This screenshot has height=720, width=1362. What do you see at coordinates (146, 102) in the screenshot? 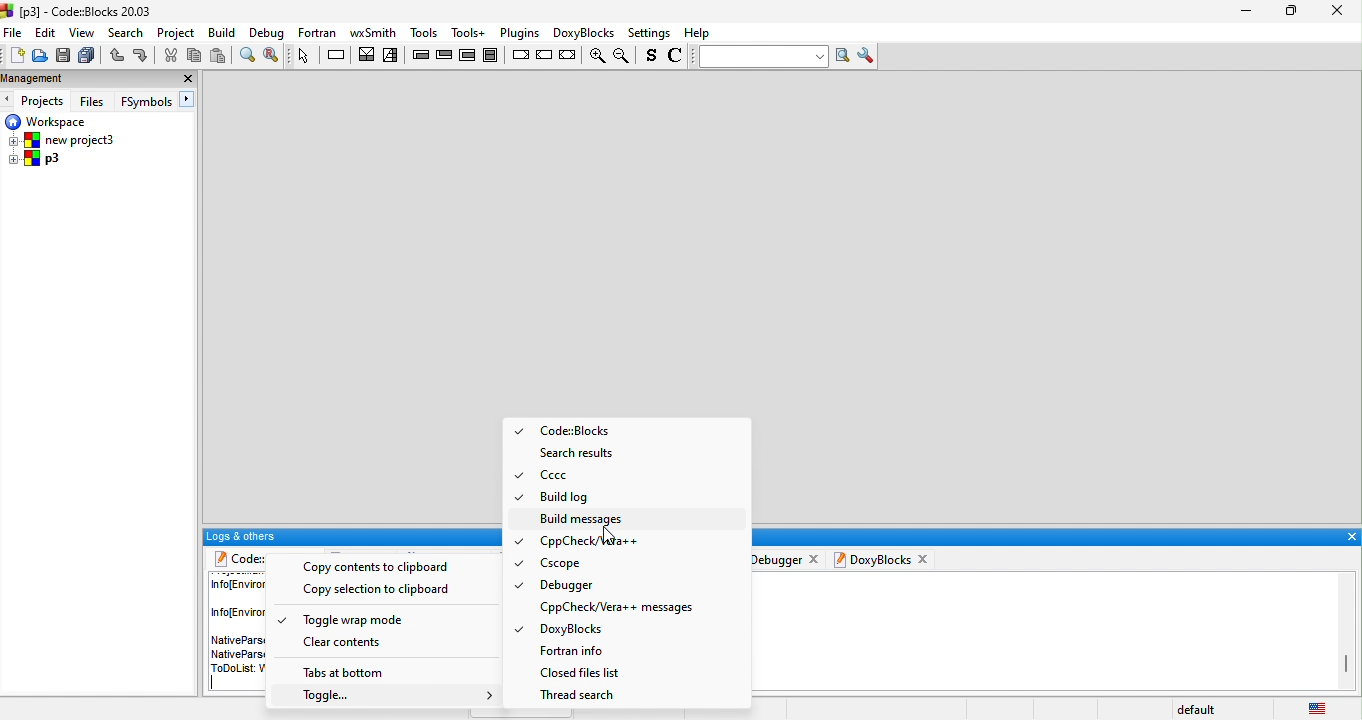
I see `FSymbols` at bounding box center [146, 102].